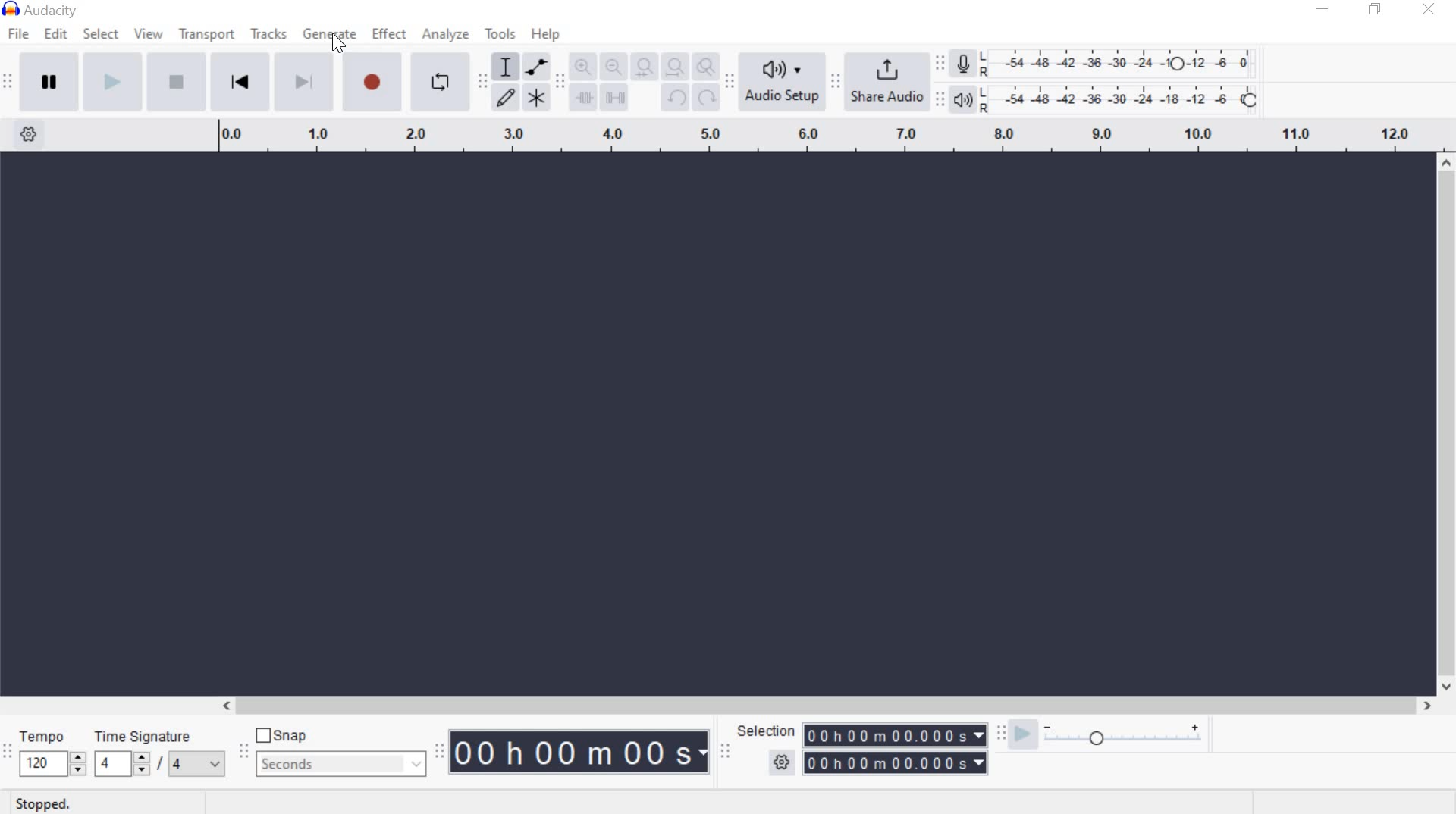 The image size is (1456, 814). What do you see at coordinates (268, 34) in the screenshot?
I see `tracks` at bounding box center [268, 34].